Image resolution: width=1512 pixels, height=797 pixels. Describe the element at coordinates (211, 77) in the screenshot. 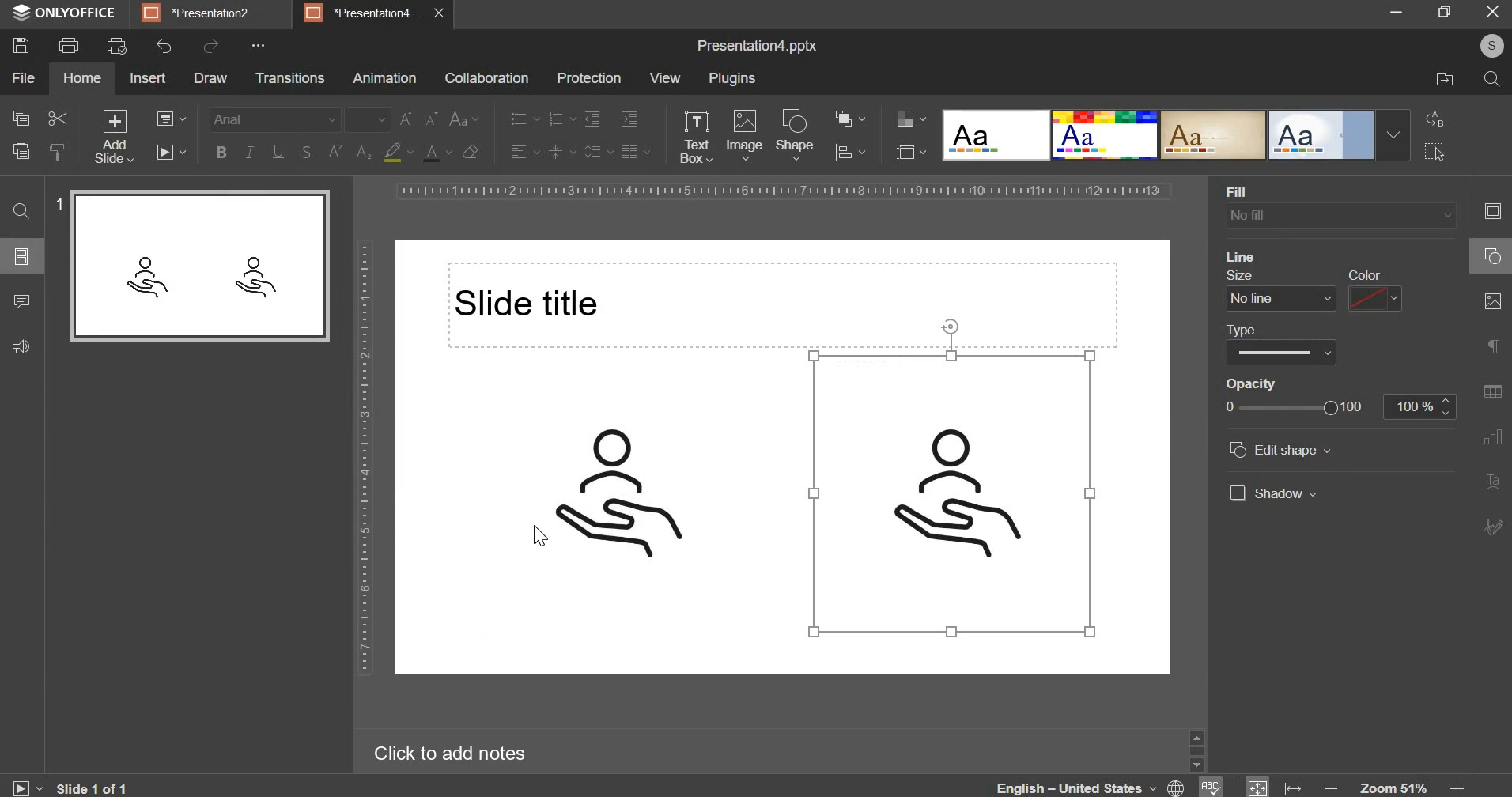

I see `draw` at that location.